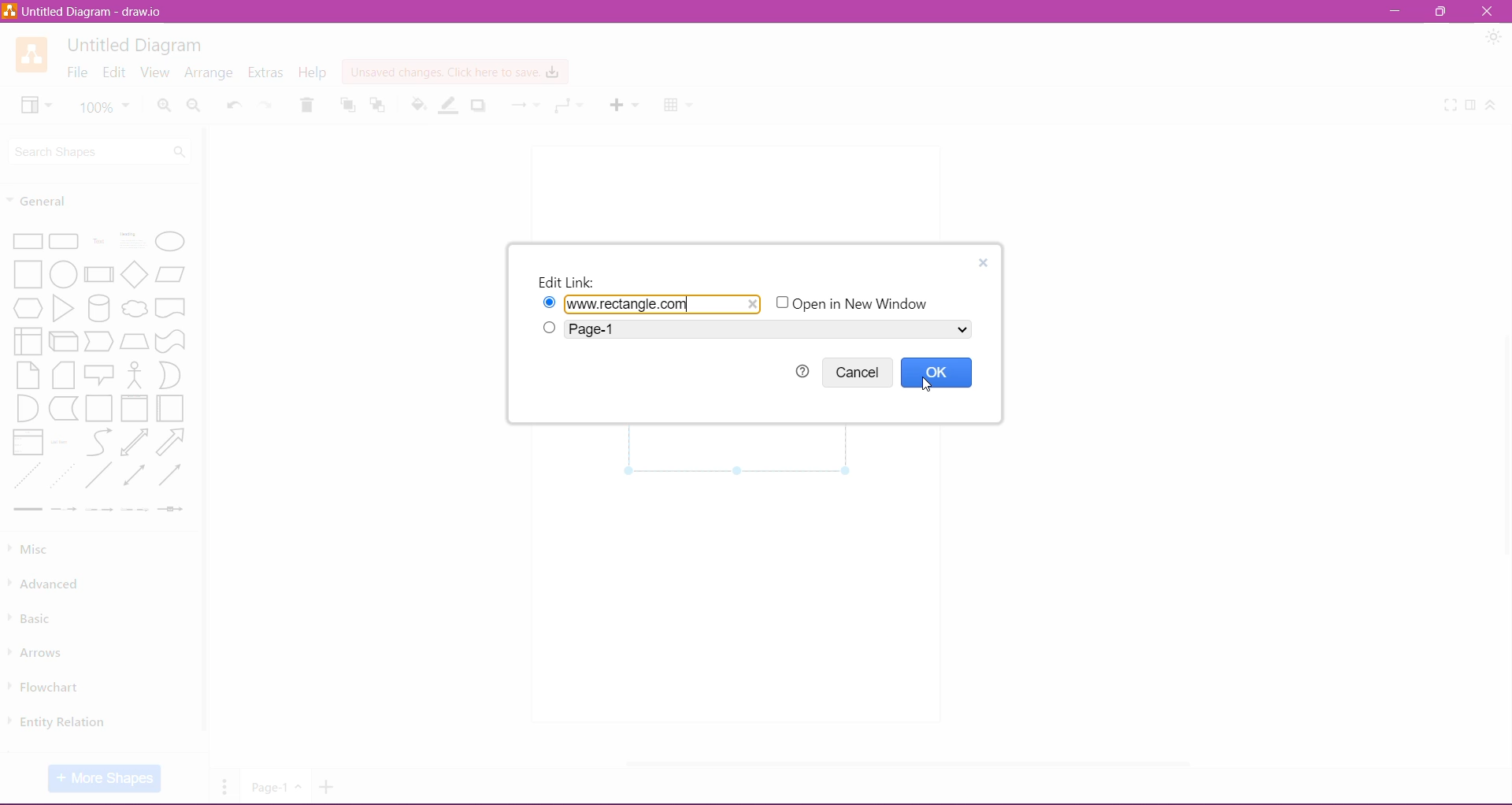  Describe the element at coordinates (313, 73) in the screenshot. I see `Help` at that location.